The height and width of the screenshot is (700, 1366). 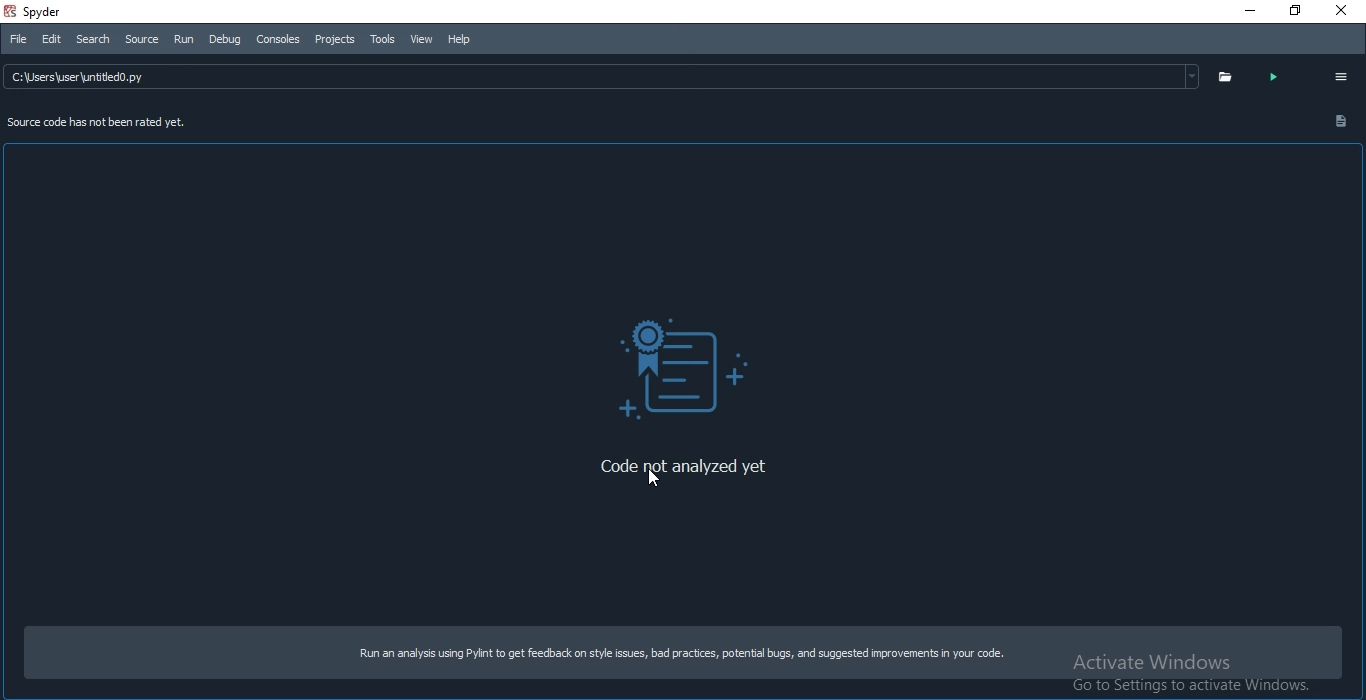 I want to click on ‘Code not analyzed yet, so click(x=687, y=470).